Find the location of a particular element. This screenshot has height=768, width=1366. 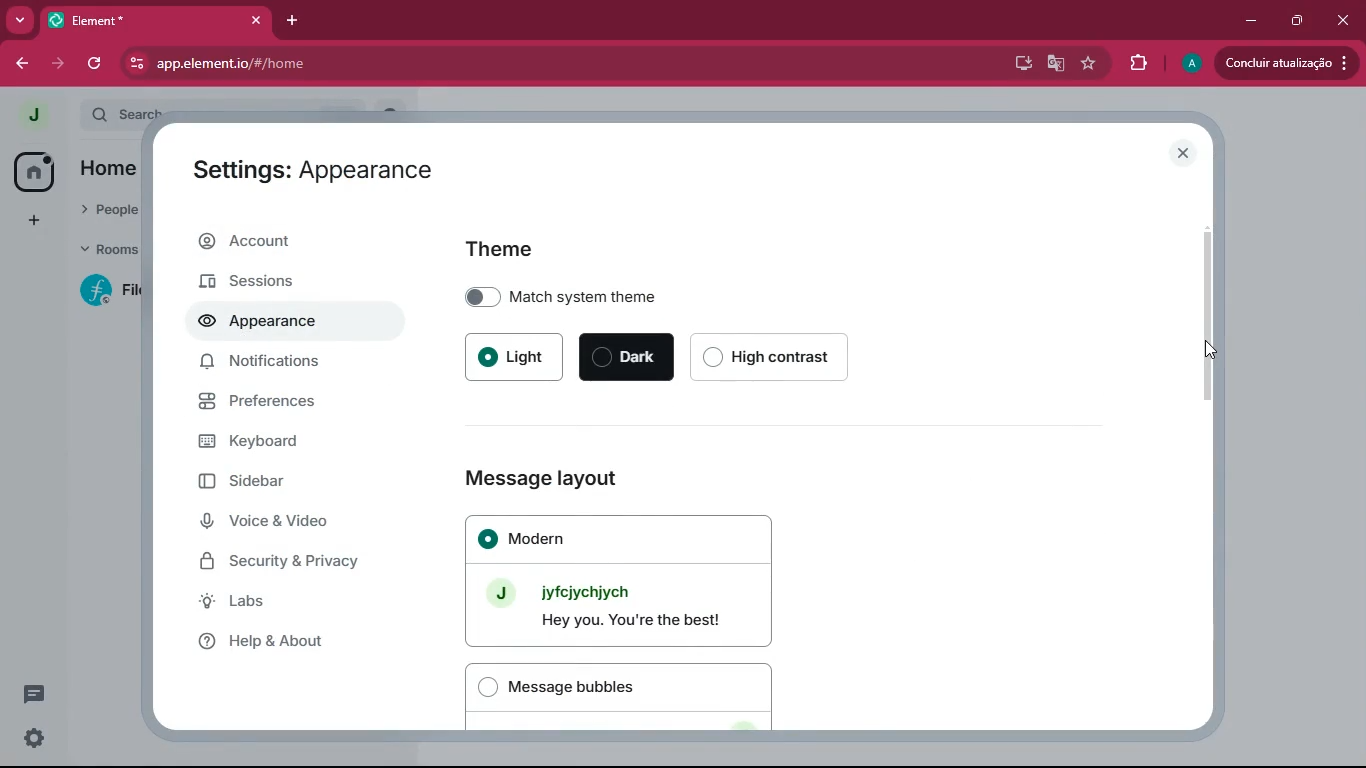

people is located at coordinates (112, 209).